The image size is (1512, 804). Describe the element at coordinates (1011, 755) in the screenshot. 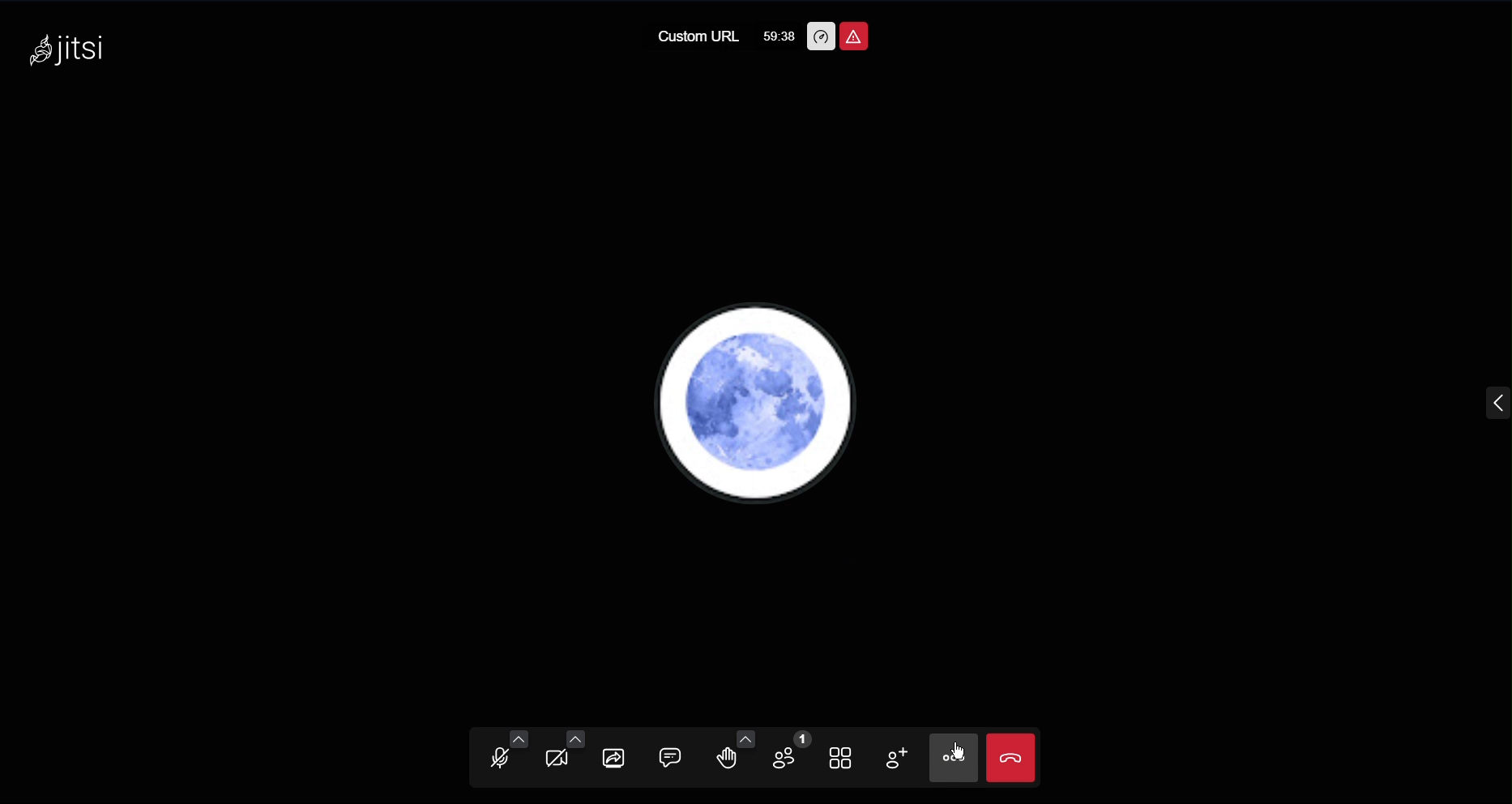

I see `End meeting` at that location.